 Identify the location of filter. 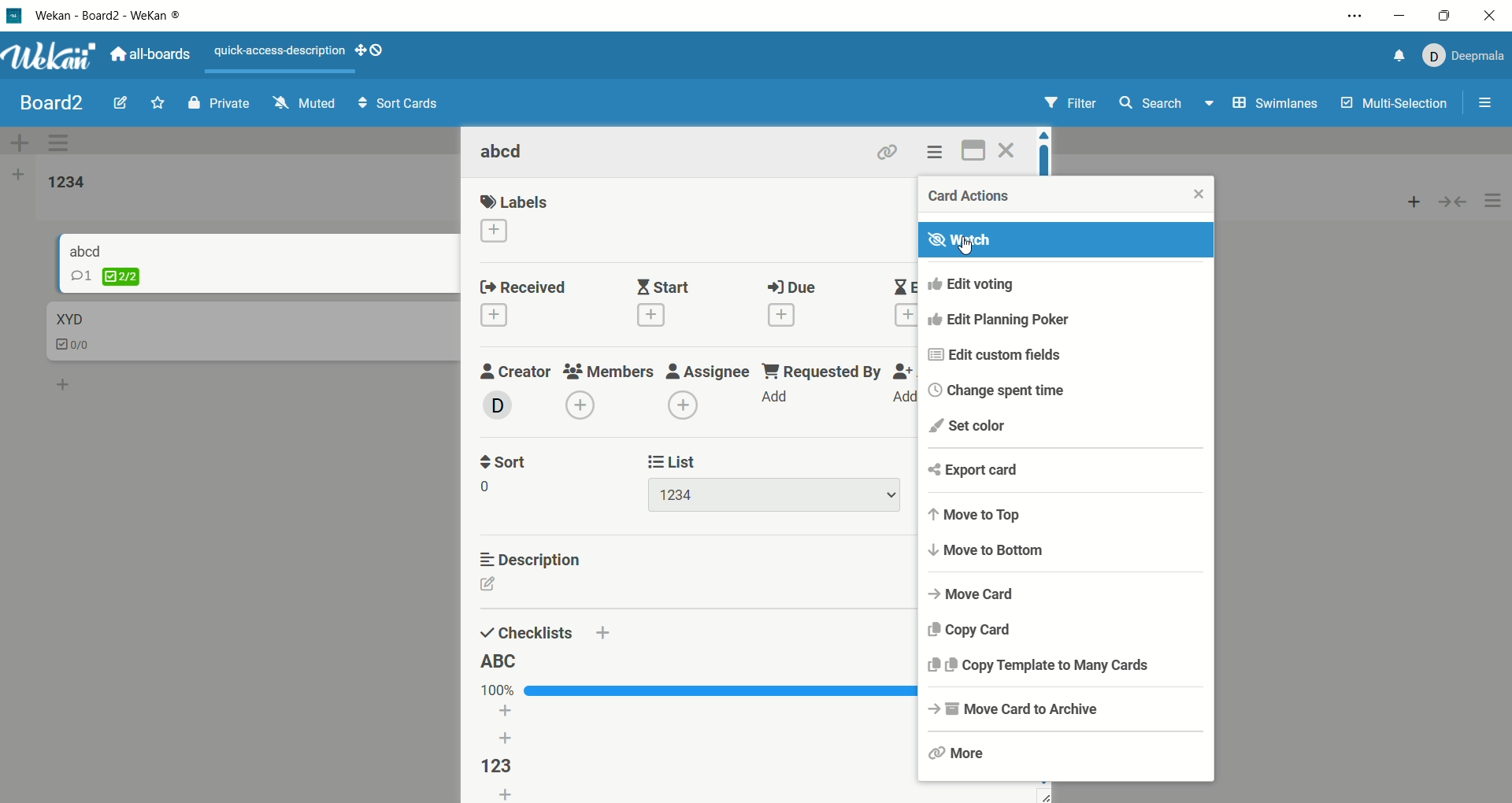
(1076, 103).